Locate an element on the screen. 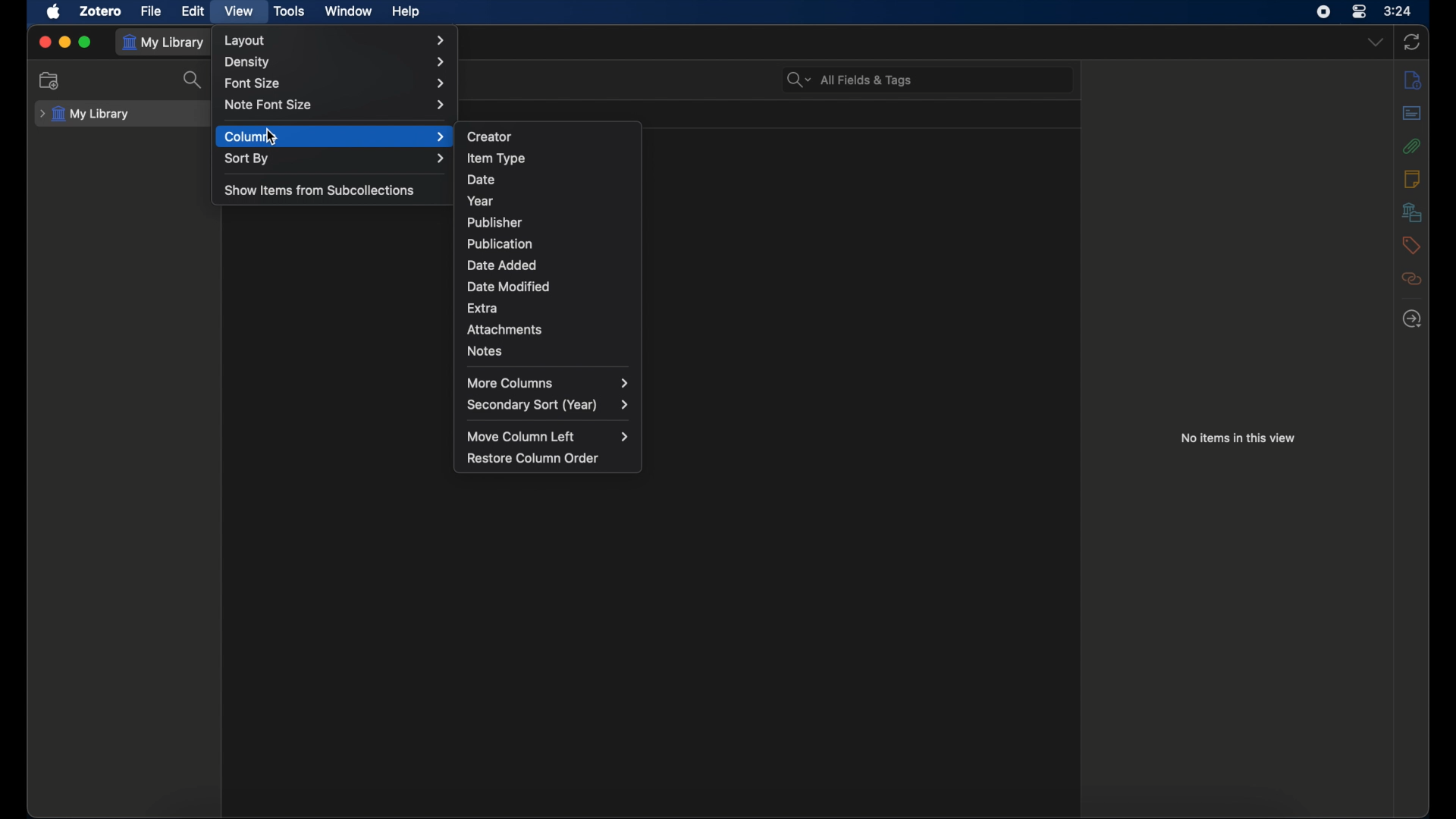 This screenshot has width=1456, height=819. date is located at coordinates (482, 180).